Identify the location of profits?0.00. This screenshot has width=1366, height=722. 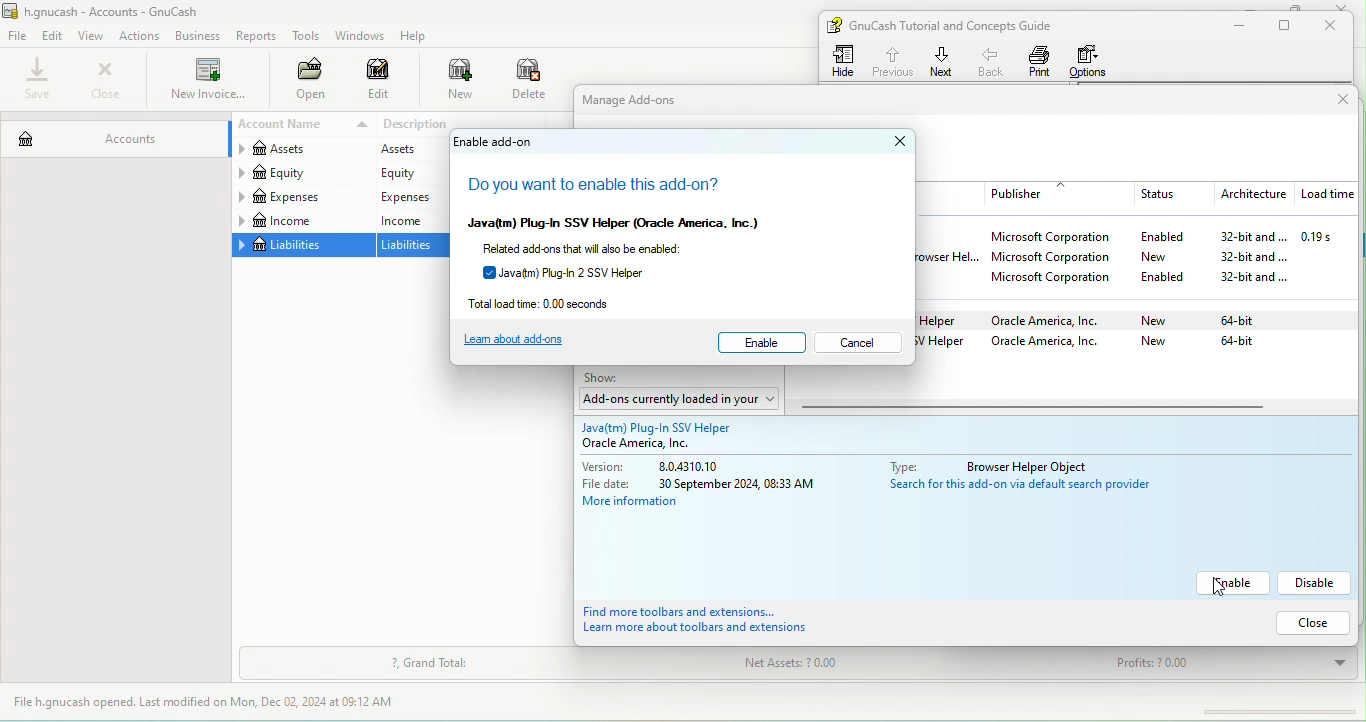
(1223, 664).